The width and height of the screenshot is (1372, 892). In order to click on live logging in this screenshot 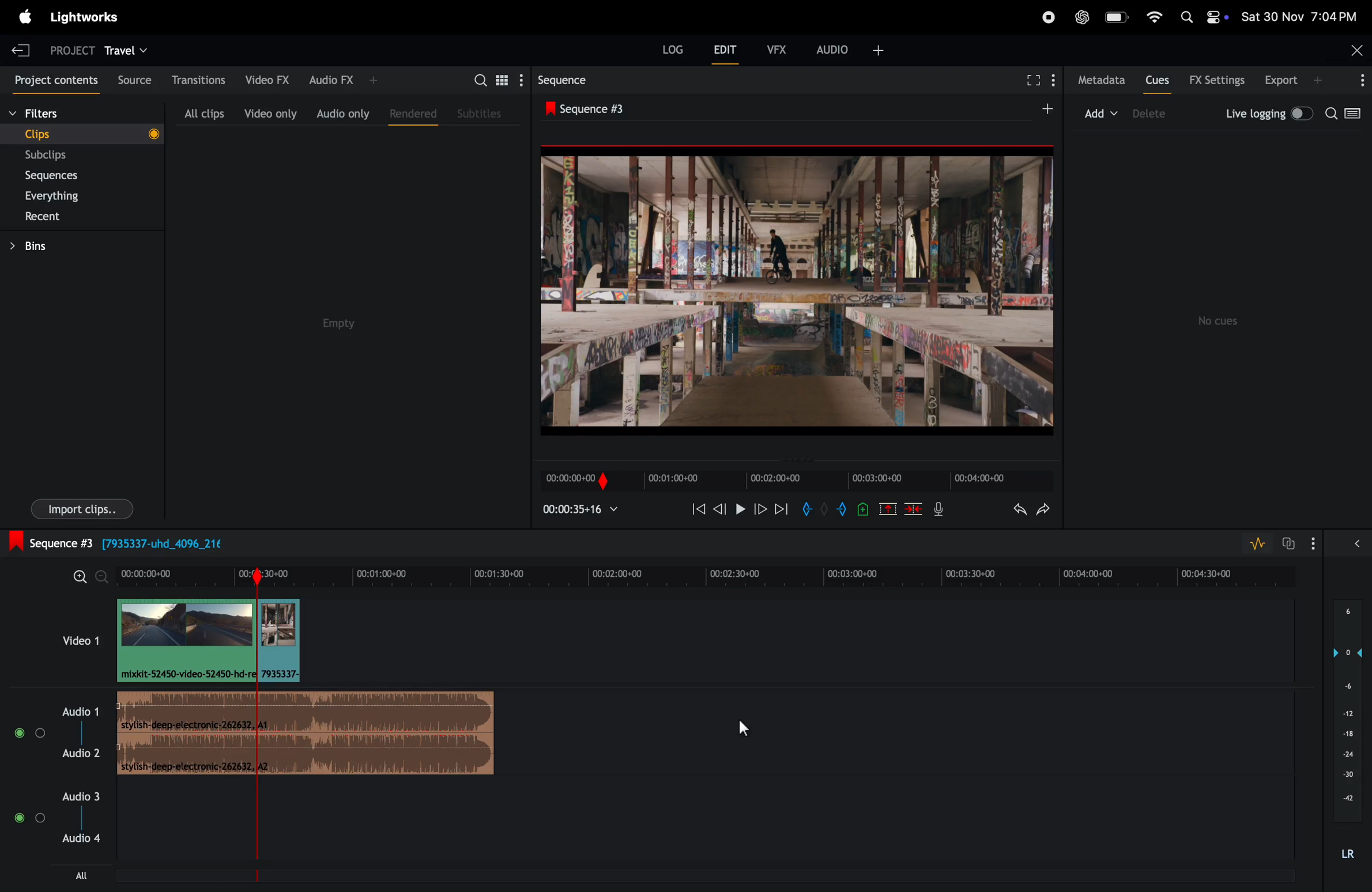, I will do `click(1267, 114)`.